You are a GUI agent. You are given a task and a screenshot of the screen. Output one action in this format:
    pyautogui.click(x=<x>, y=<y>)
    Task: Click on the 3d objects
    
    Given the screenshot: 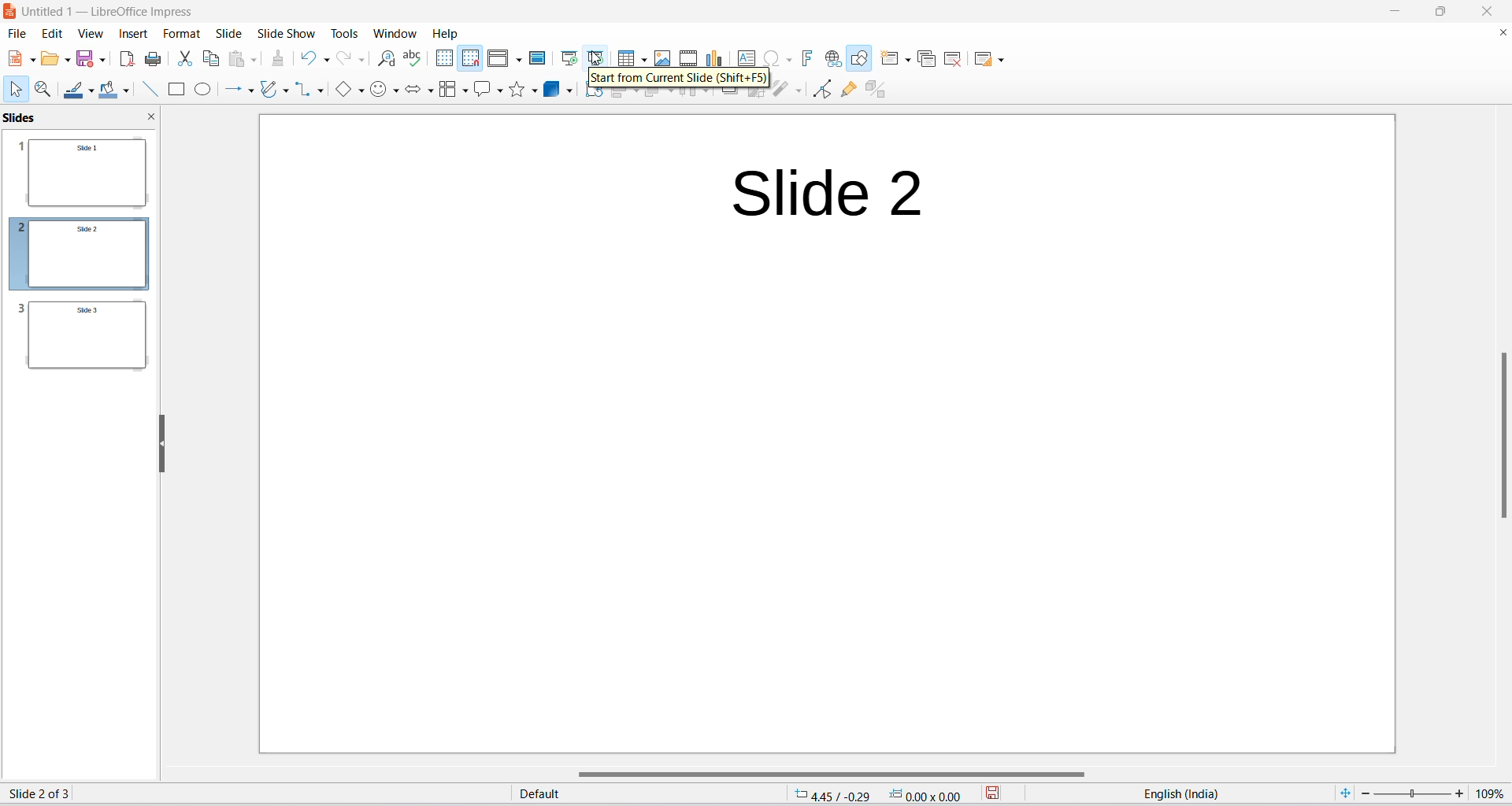 What is the action you would take?
    pyautogui.click(x=550, y=91)
    